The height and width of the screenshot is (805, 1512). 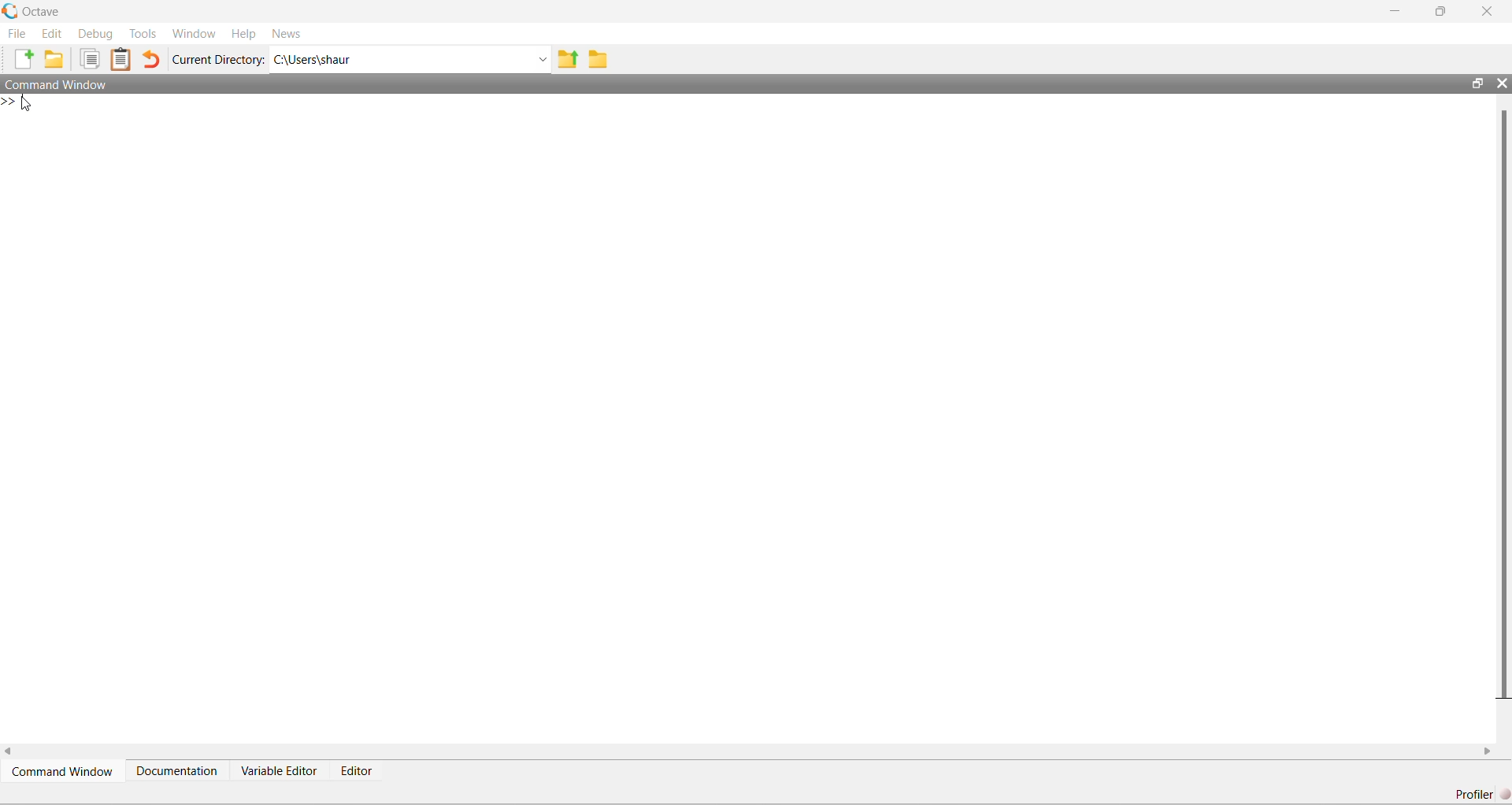 What do you see at coordinates (95, 34) in the screenshot?
I see `Debug` at bounding box center [95, 34].